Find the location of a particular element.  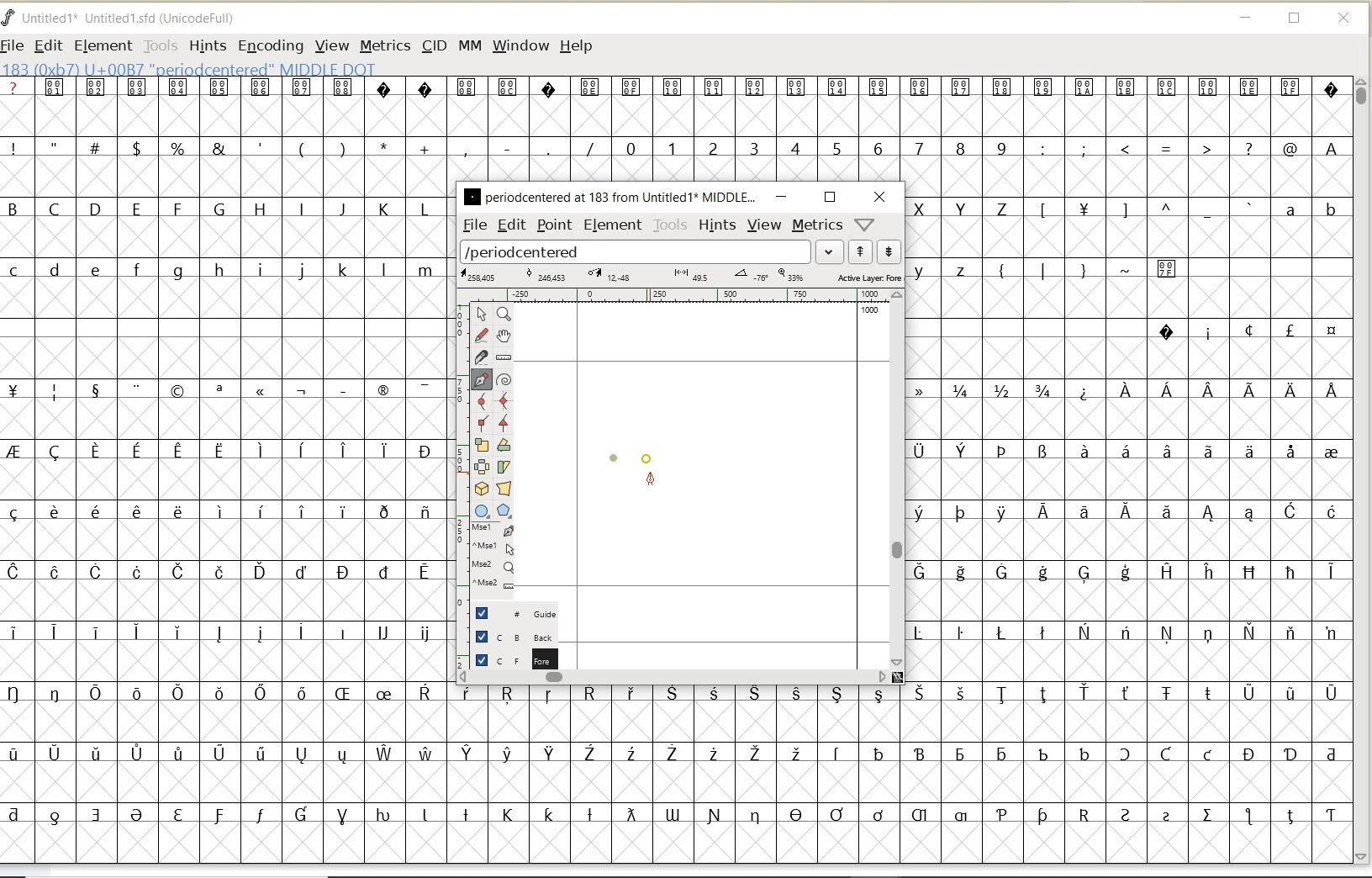

scale is located at coordinates (458, 443).